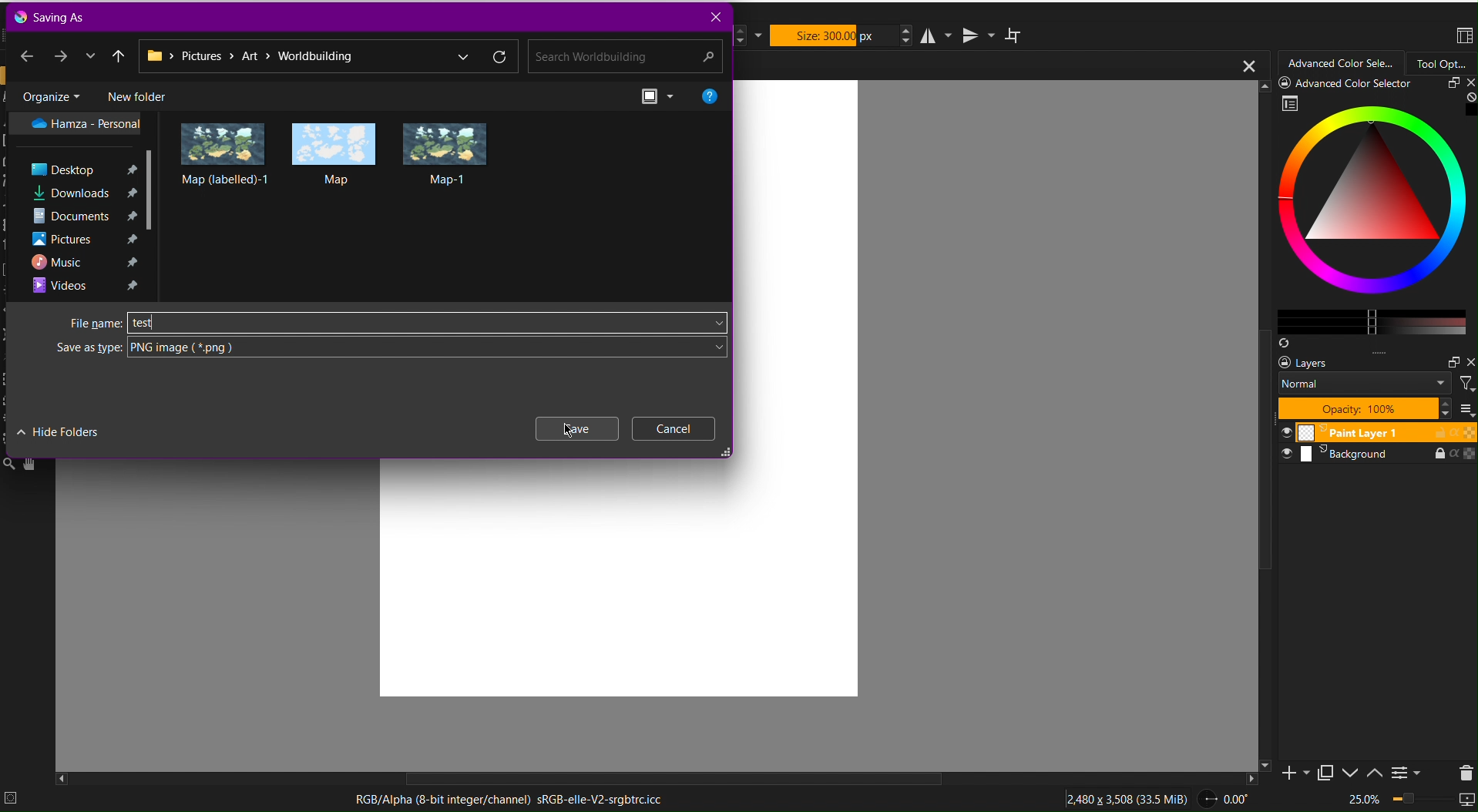 The height and width of the screenshot is (812, 1478). What do you see at coordinates (668, 779) in the screenshot?
I see `scroll` at bounding box center [668, 779].